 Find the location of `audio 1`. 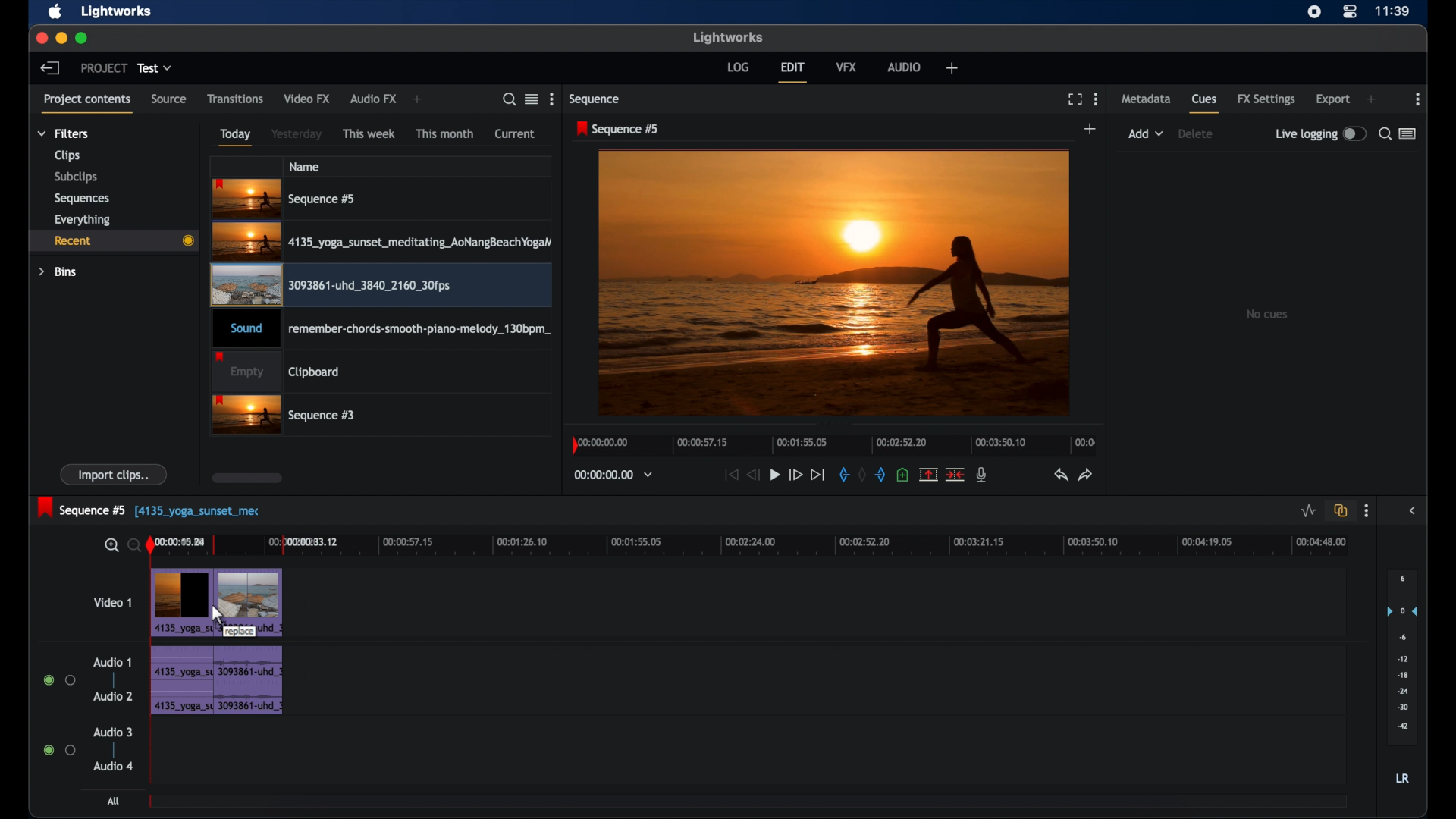

audio 1 is located at coordinates (113, 662).